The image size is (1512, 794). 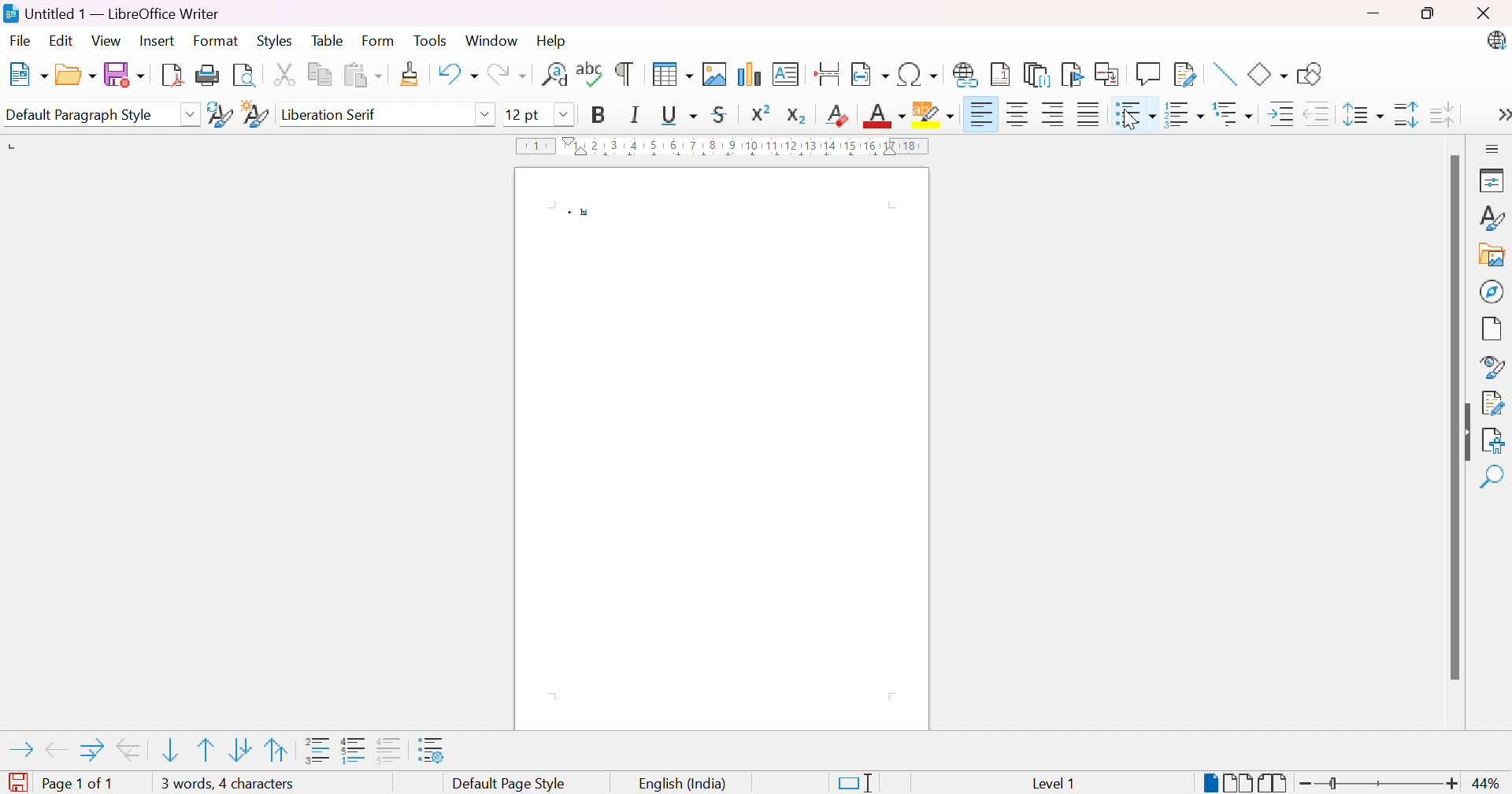 What do you see at coordinates (837, 118) in the screenshot?
I see `Clear direct formatting` at bounding box center [837, 118].